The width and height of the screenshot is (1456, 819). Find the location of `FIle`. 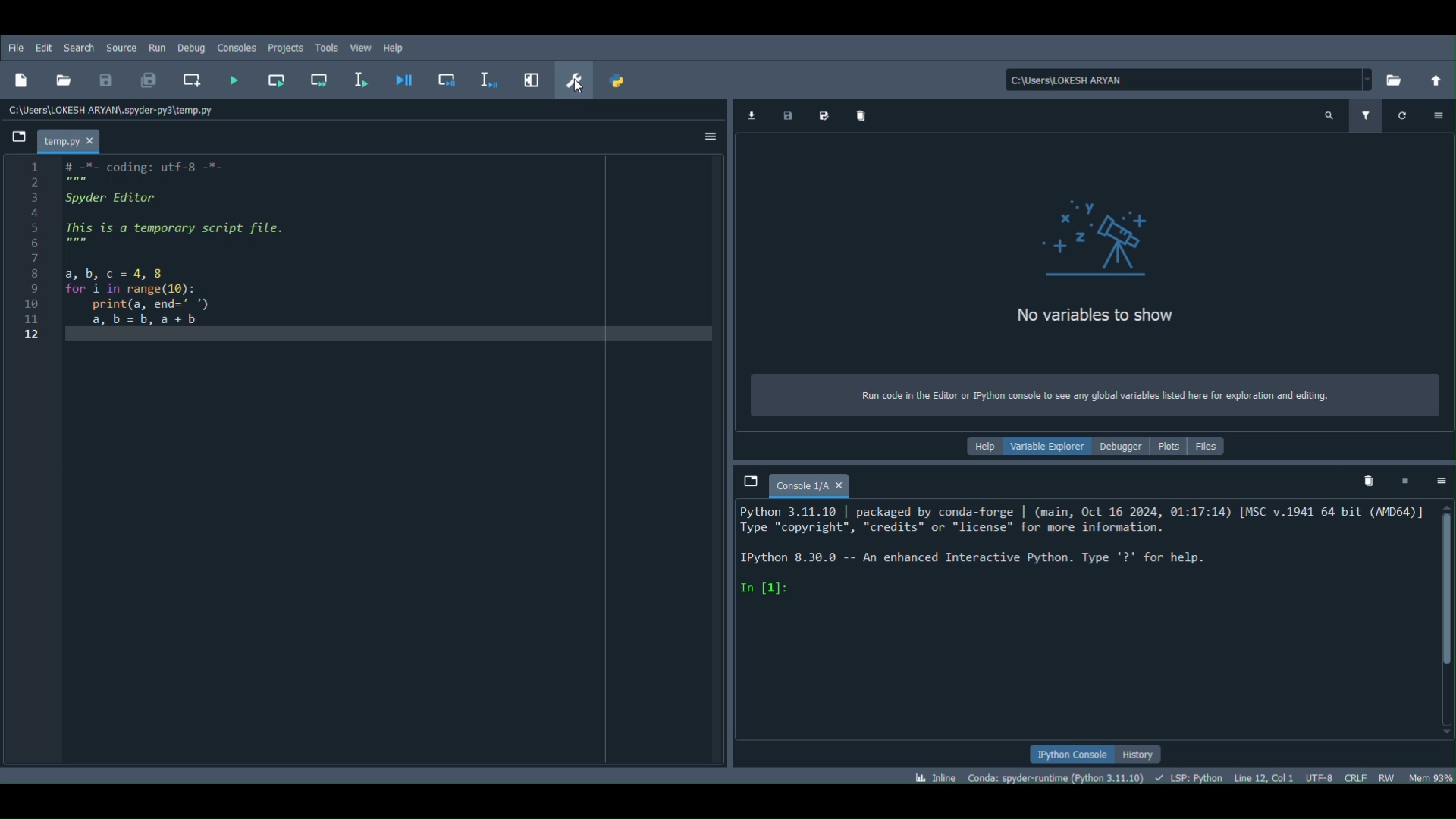

FIle is located at coordinates (14, 43).